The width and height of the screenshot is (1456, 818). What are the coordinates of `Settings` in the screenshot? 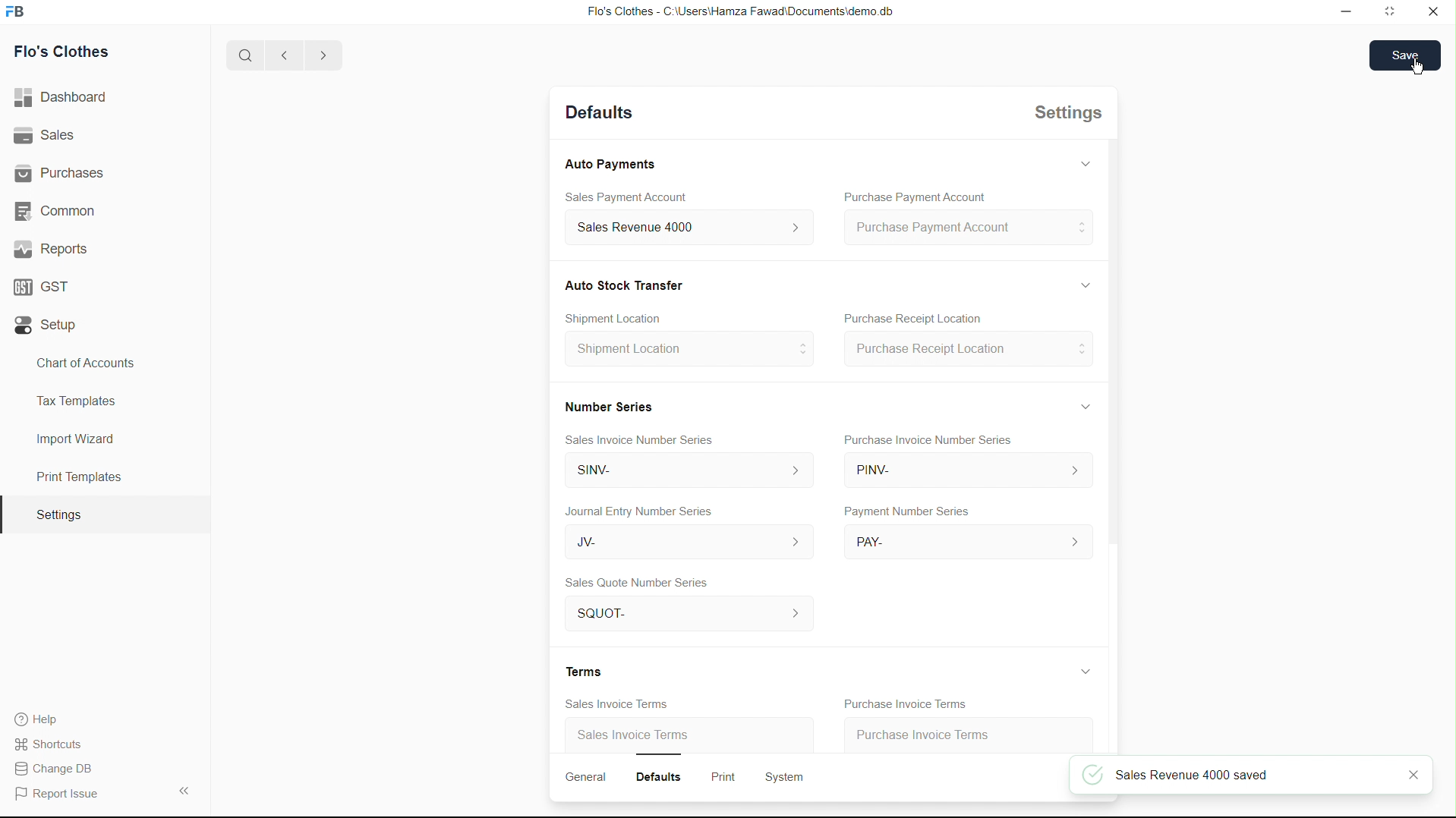 It's located at (1071, 115).